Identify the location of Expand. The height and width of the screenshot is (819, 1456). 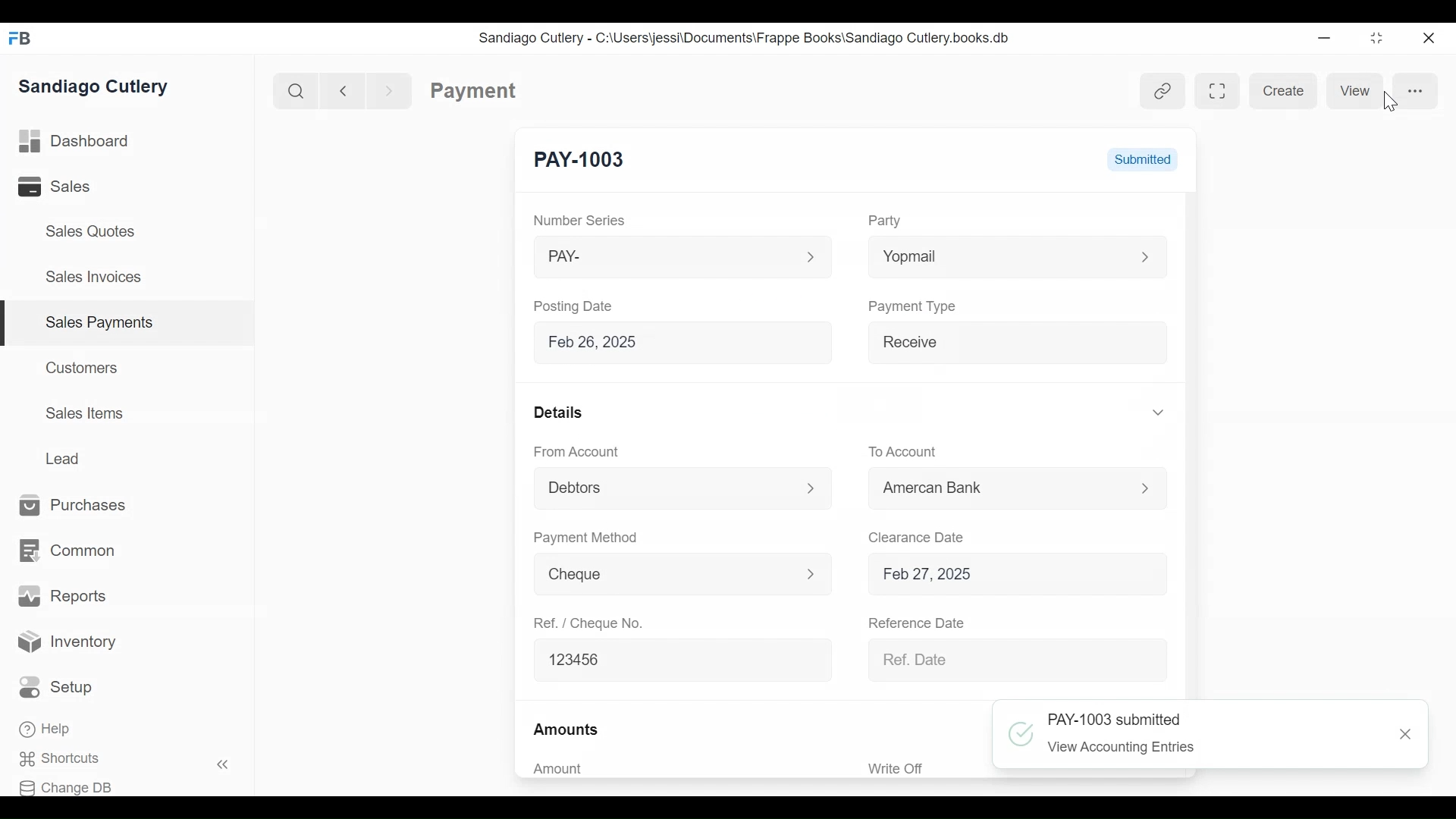
(809, 488).